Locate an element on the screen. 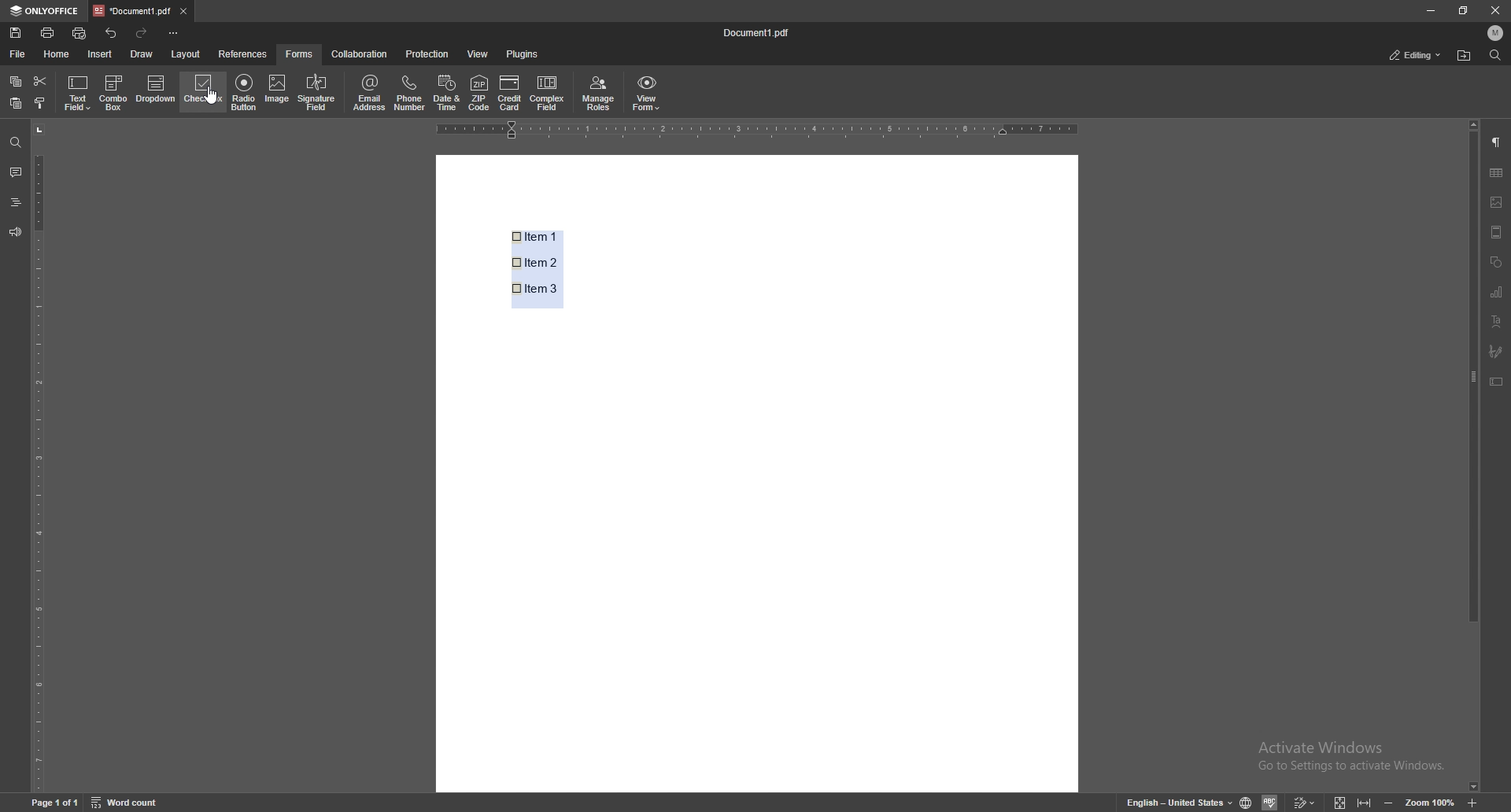  find is located at coordinates (15, 142).